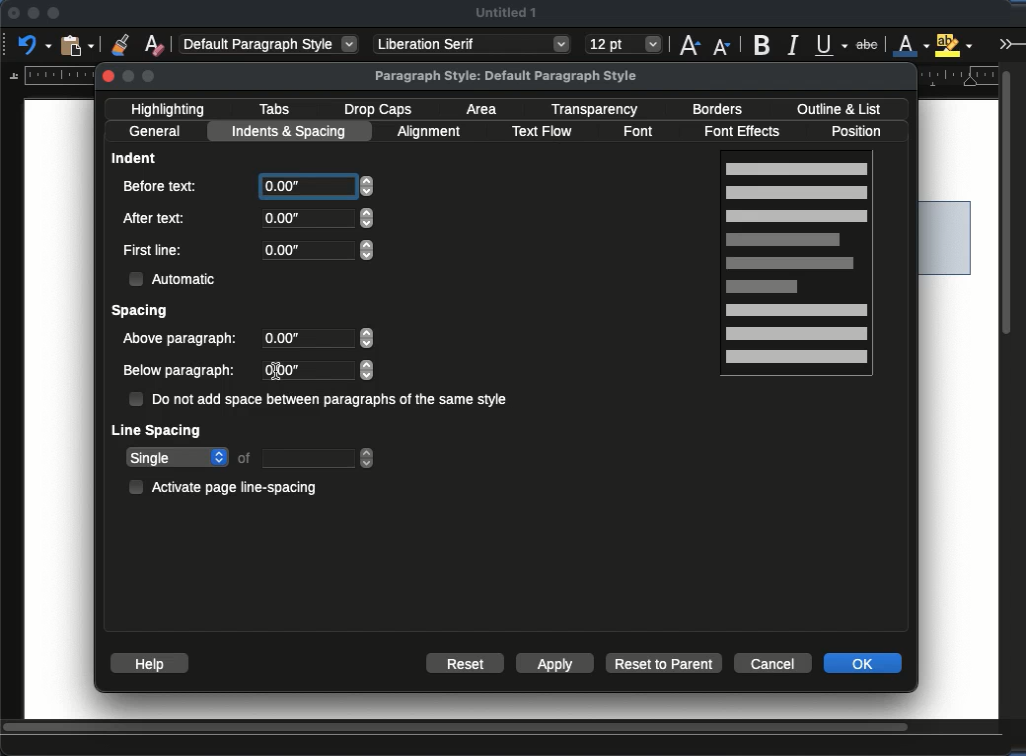 This screenshot has width=1026, height=756. I want to click on scroll, so click(502, 729).